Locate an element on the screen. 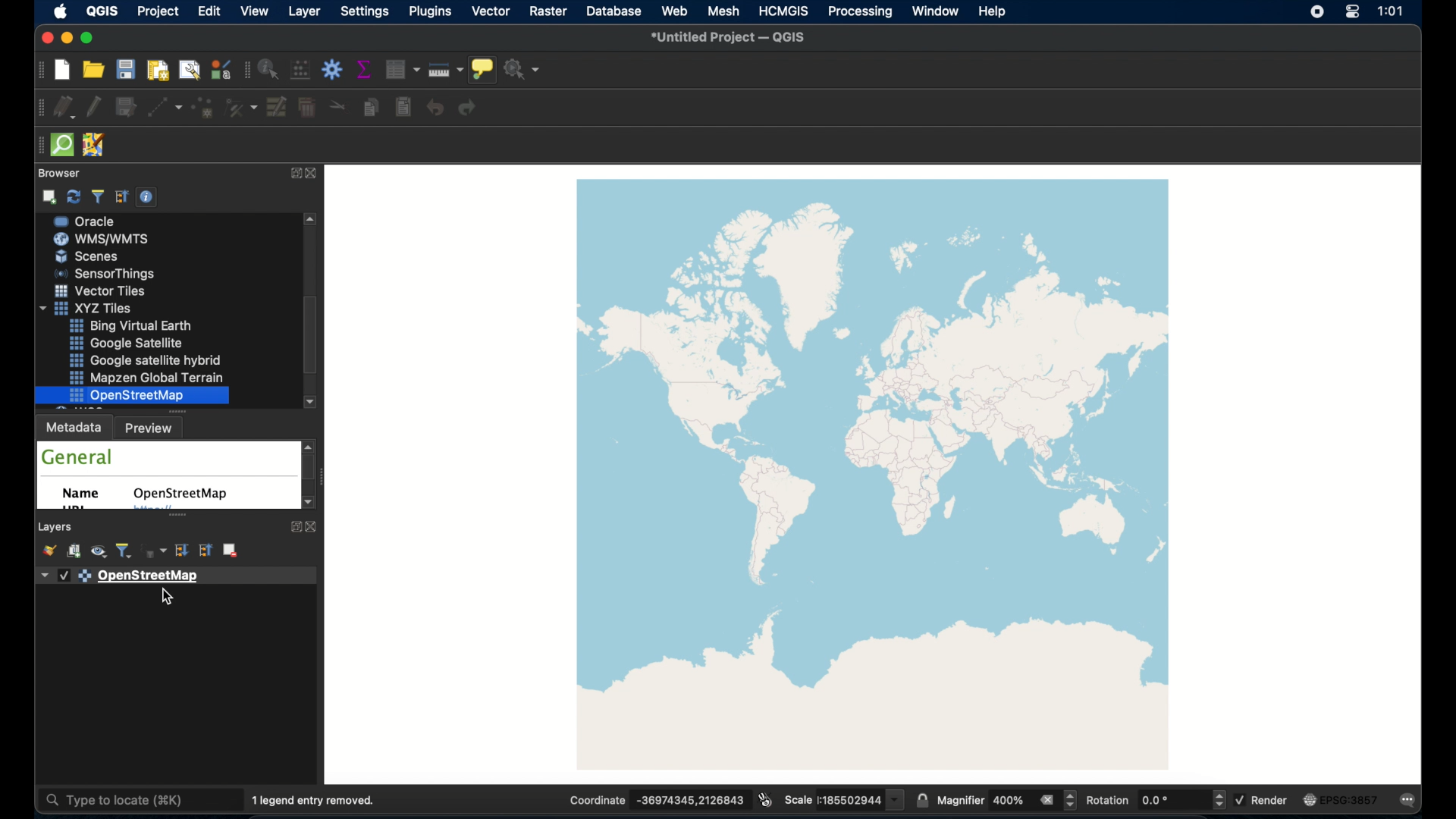 This screenshot has height=819, width=1456. filter legend is located at coordinates (124, 551).